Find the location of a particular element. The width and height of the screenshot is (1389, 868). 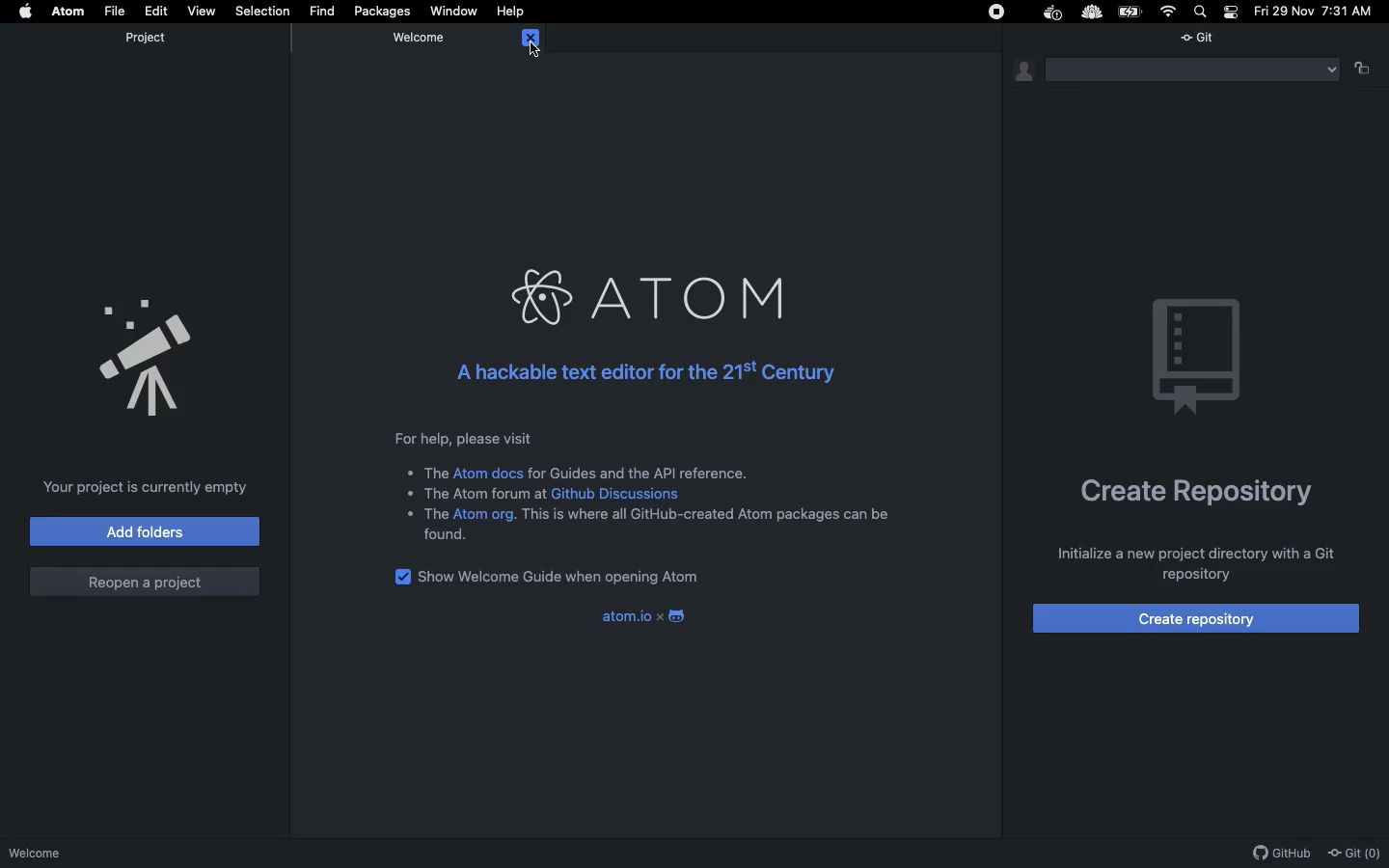

Internet is located at coordinates (1169, 11).